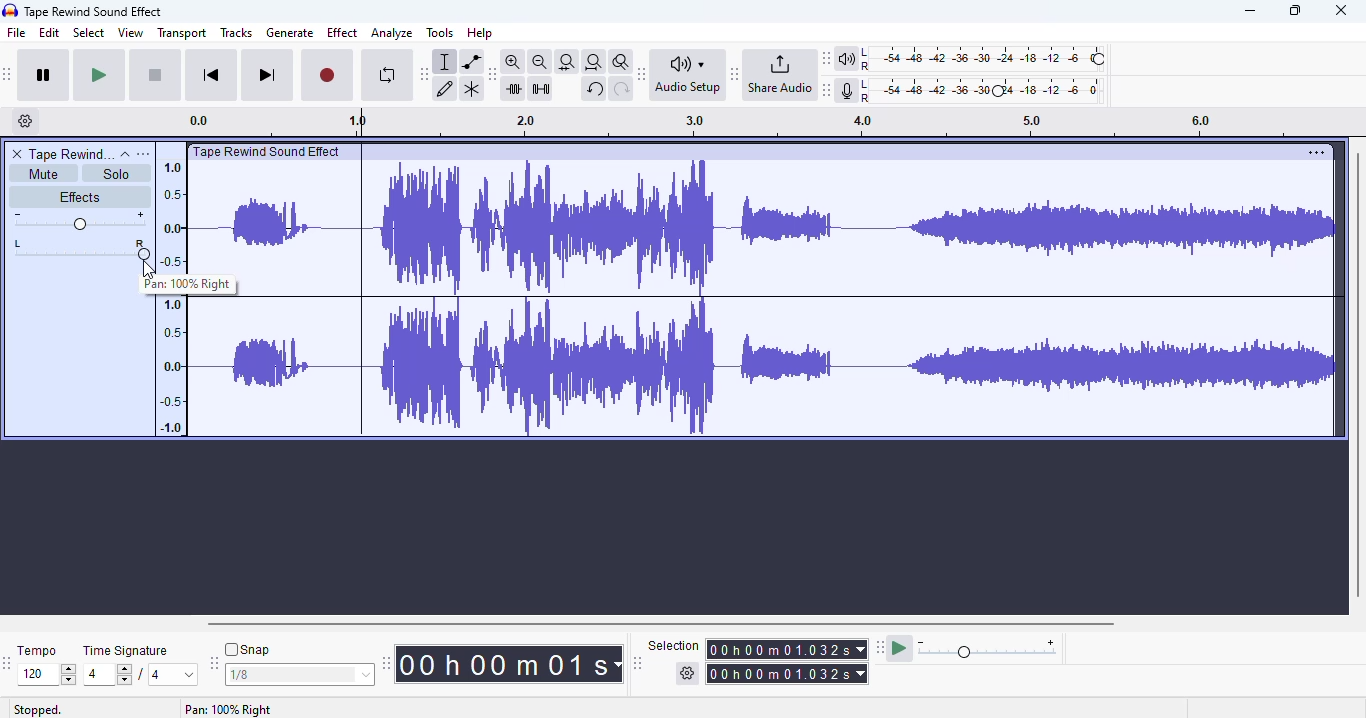  Describe the element at coordinates (137, 674) in the screenshot. I see `4/4` at that location.